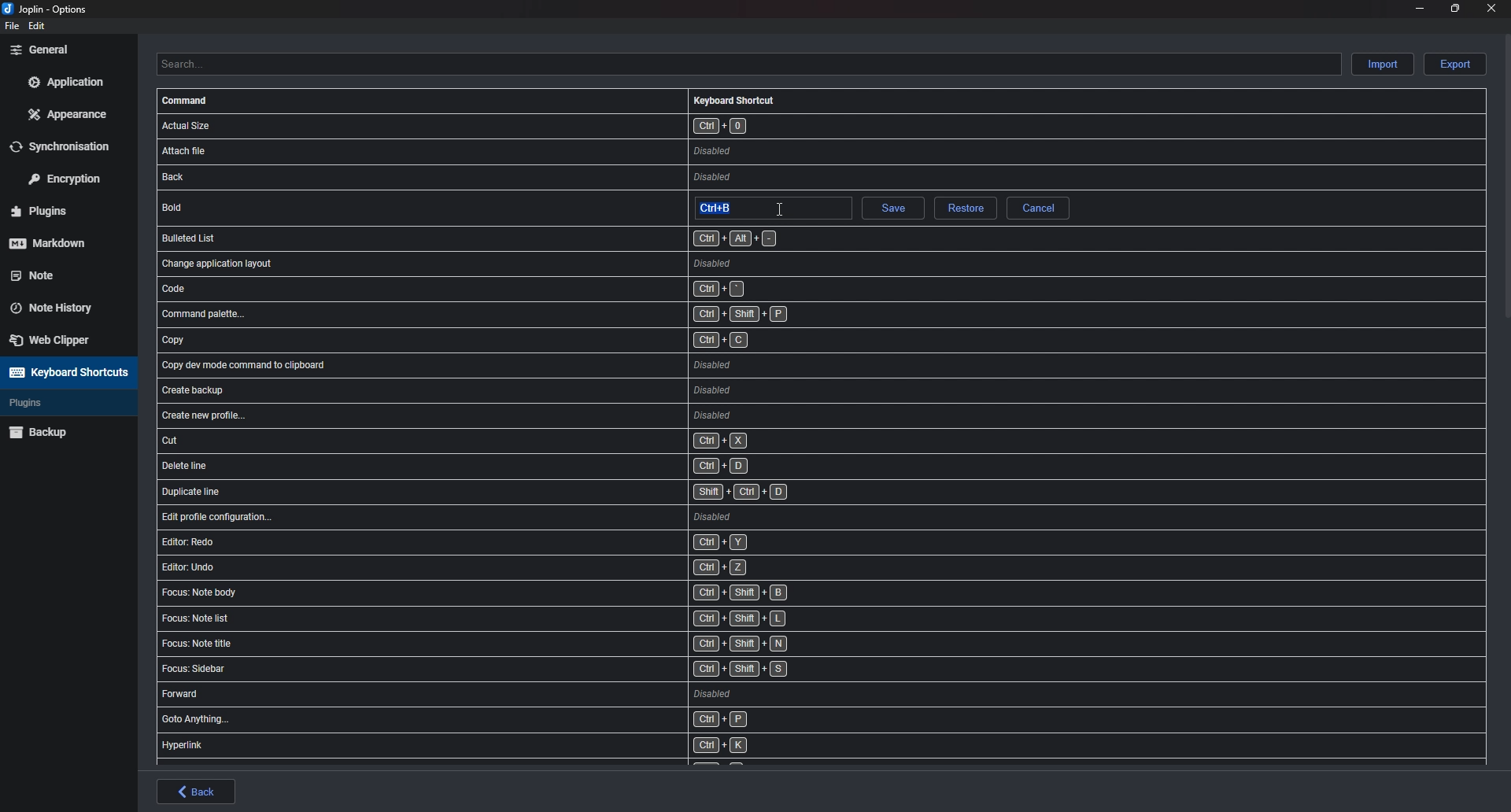  What do you see at coordinates (262, 206) in the screenshot?
I see `bold` at bounding box center [262, 206].